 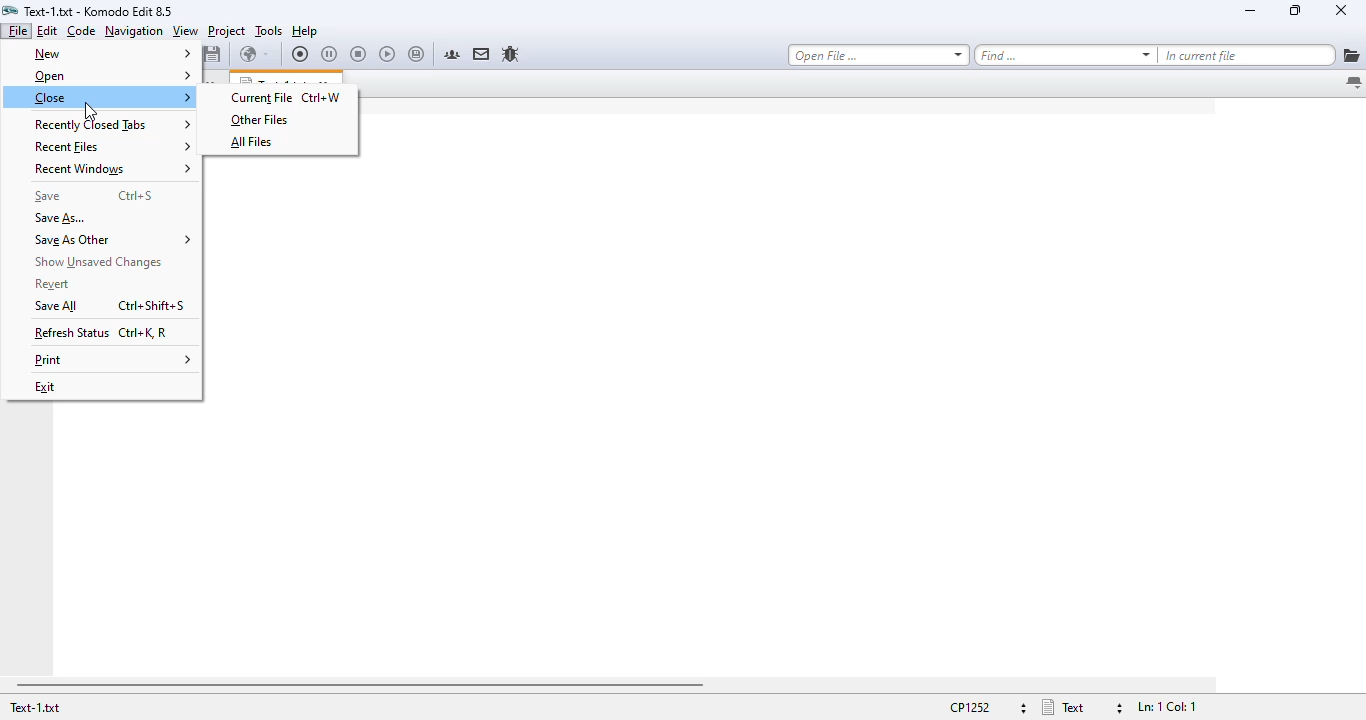 I want to click on revert, so click(x=53, y=285).